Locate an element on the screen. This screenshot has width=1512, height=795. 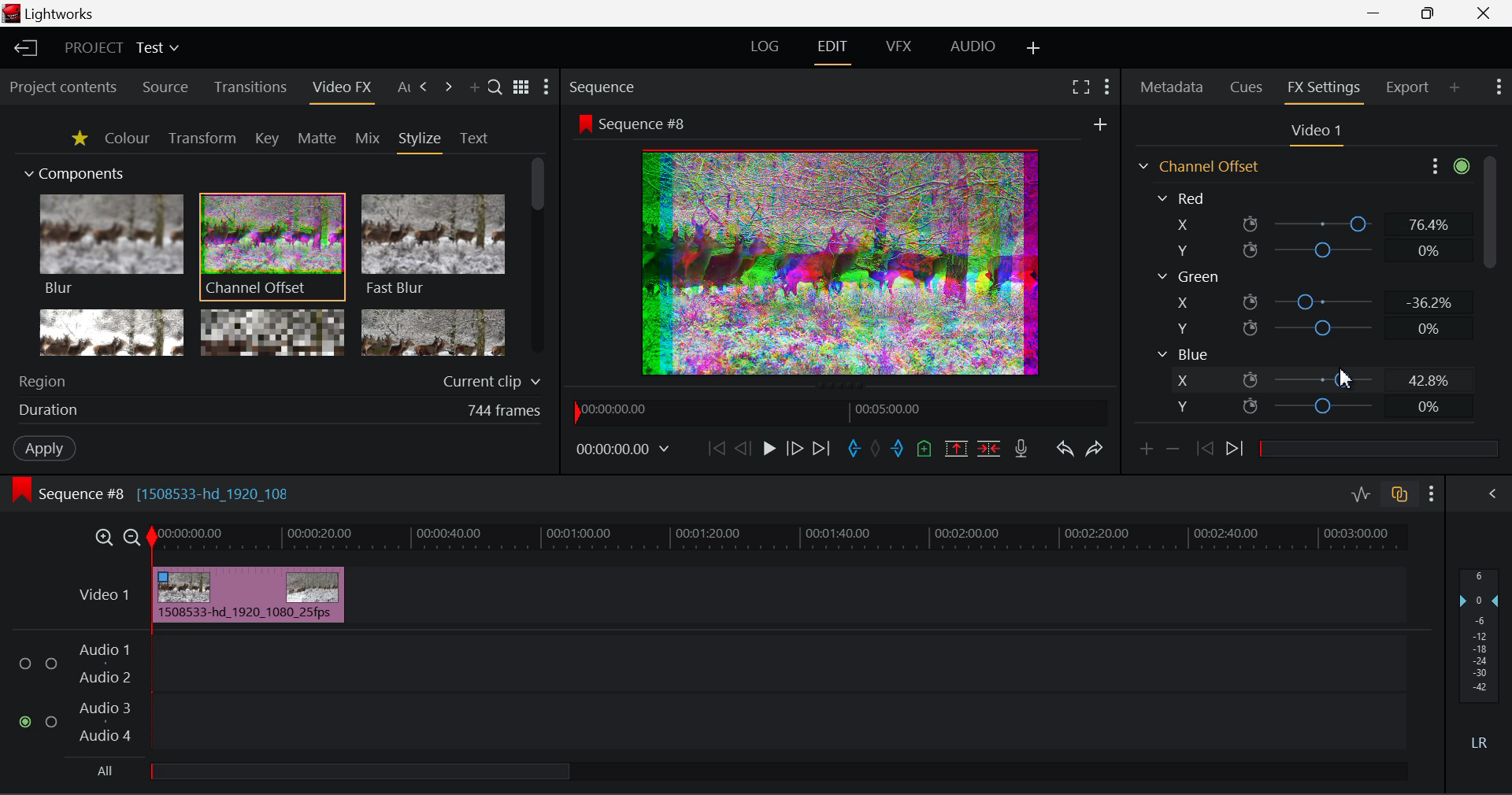
VFX Layout is located at coordinates (899, 50).